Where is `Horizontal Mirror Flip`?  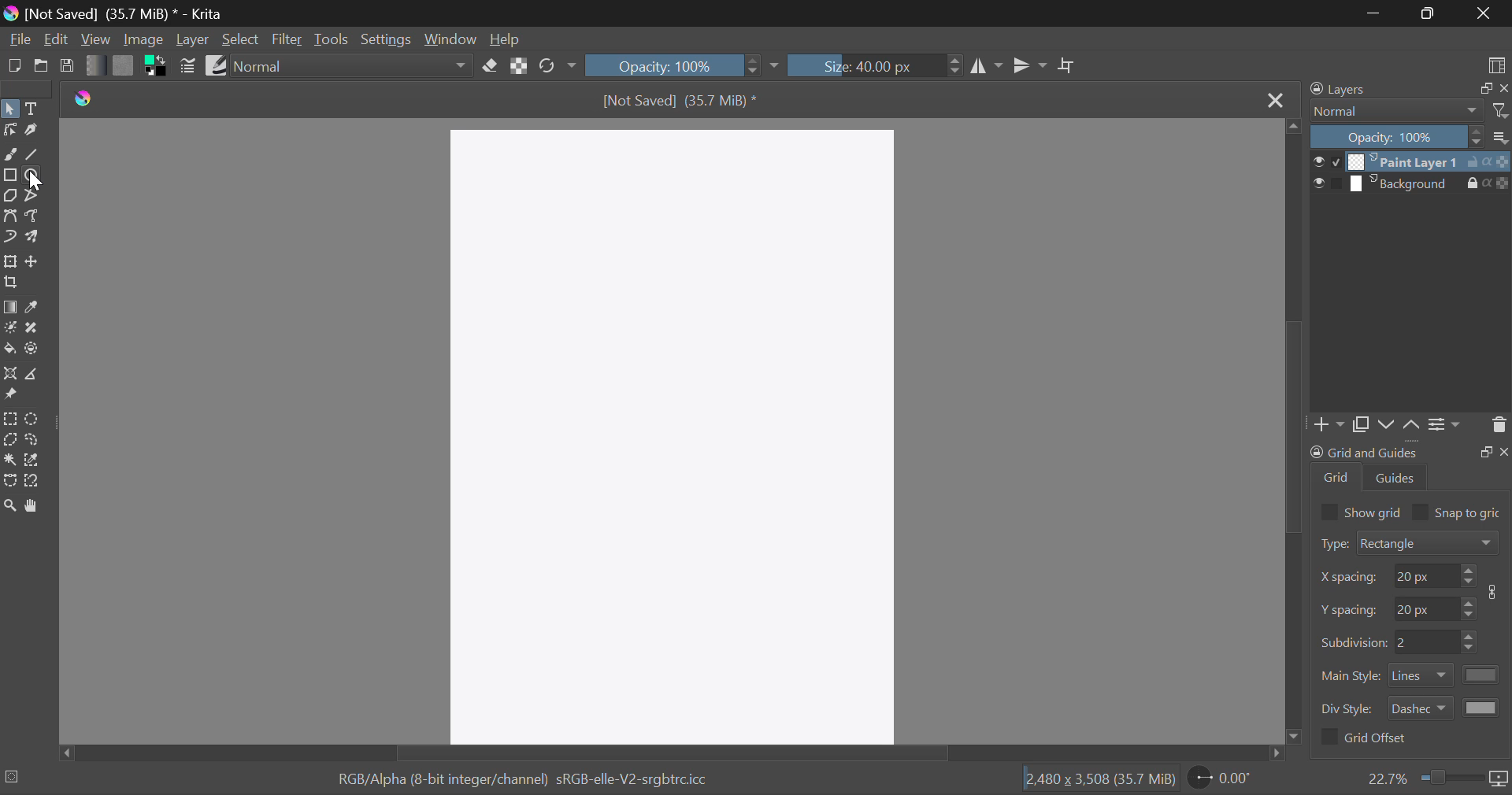
Horizontal Mirror Flip is located at coordinates (1031, 65).